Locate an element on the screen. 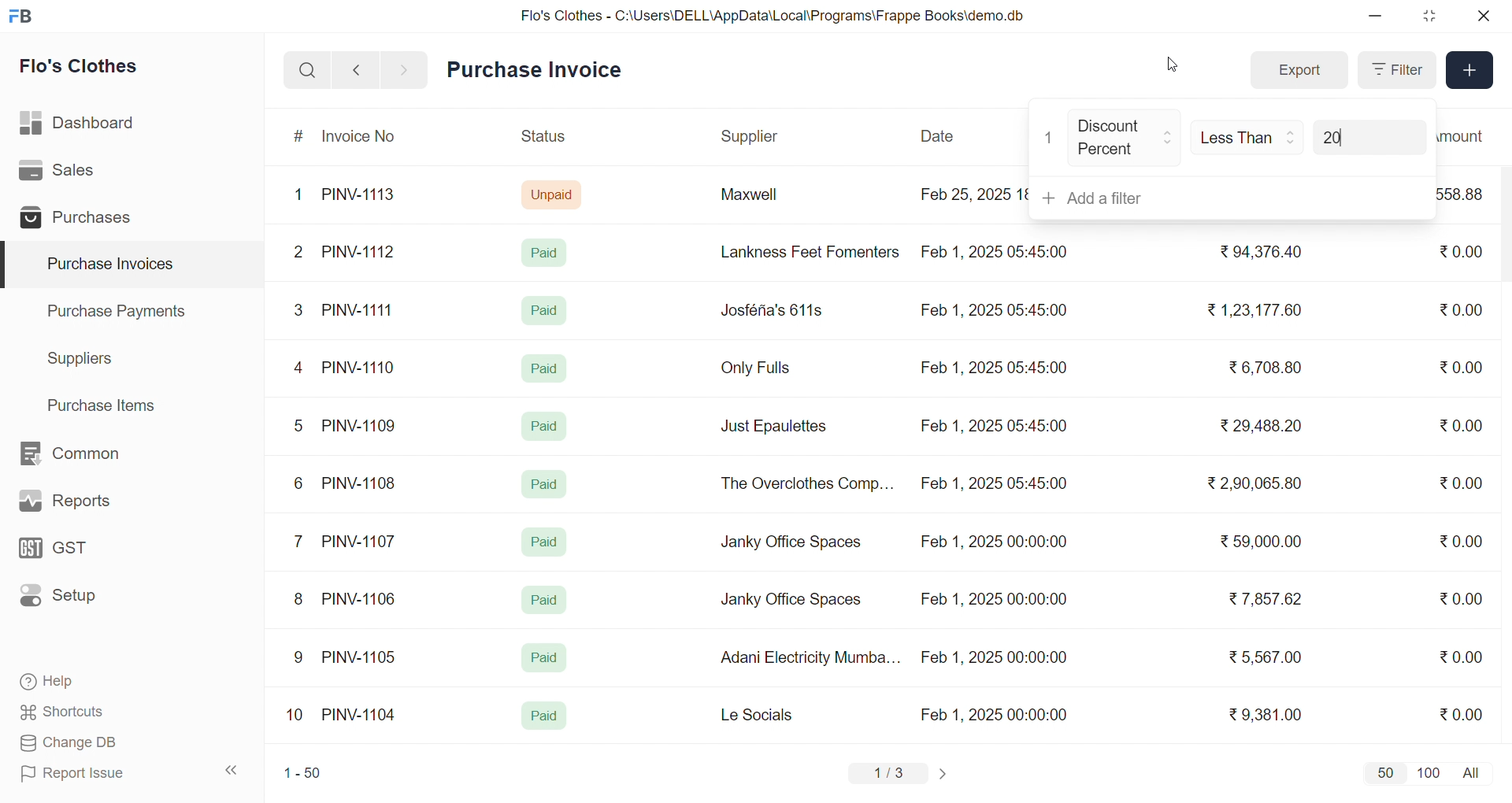 The height and width of the screenshot is (803, 1512). 10 is located at coordinates (298, 716).